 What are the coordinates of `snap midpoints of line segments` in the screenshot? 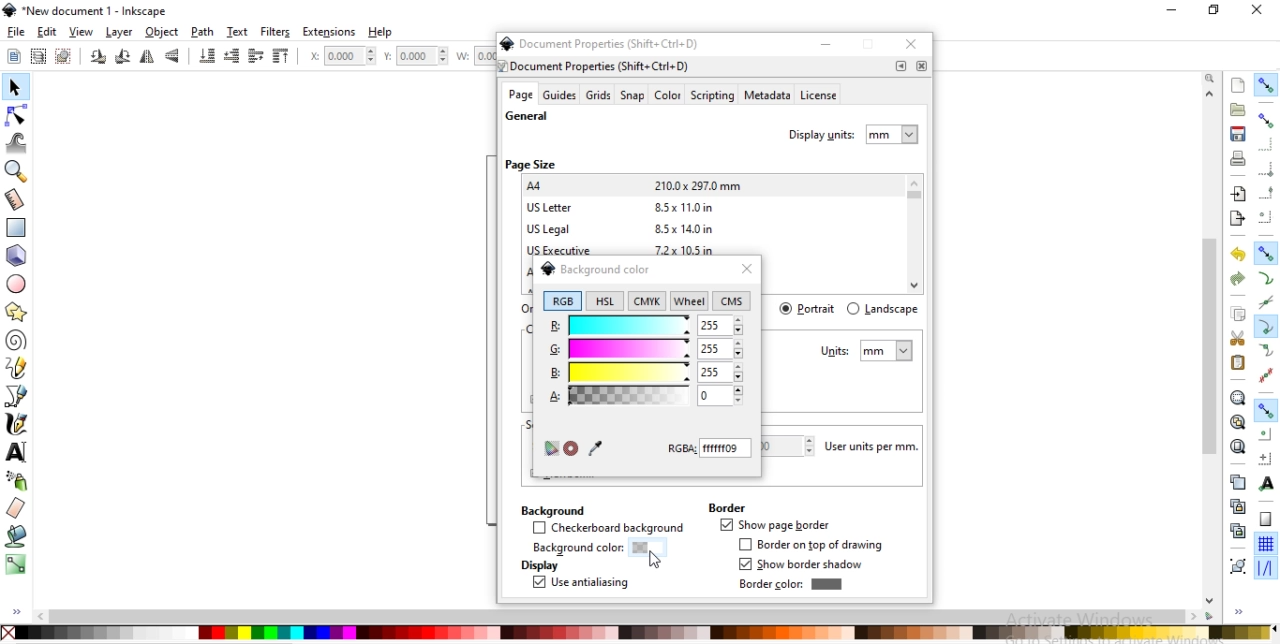 It's located at (1264, 375).